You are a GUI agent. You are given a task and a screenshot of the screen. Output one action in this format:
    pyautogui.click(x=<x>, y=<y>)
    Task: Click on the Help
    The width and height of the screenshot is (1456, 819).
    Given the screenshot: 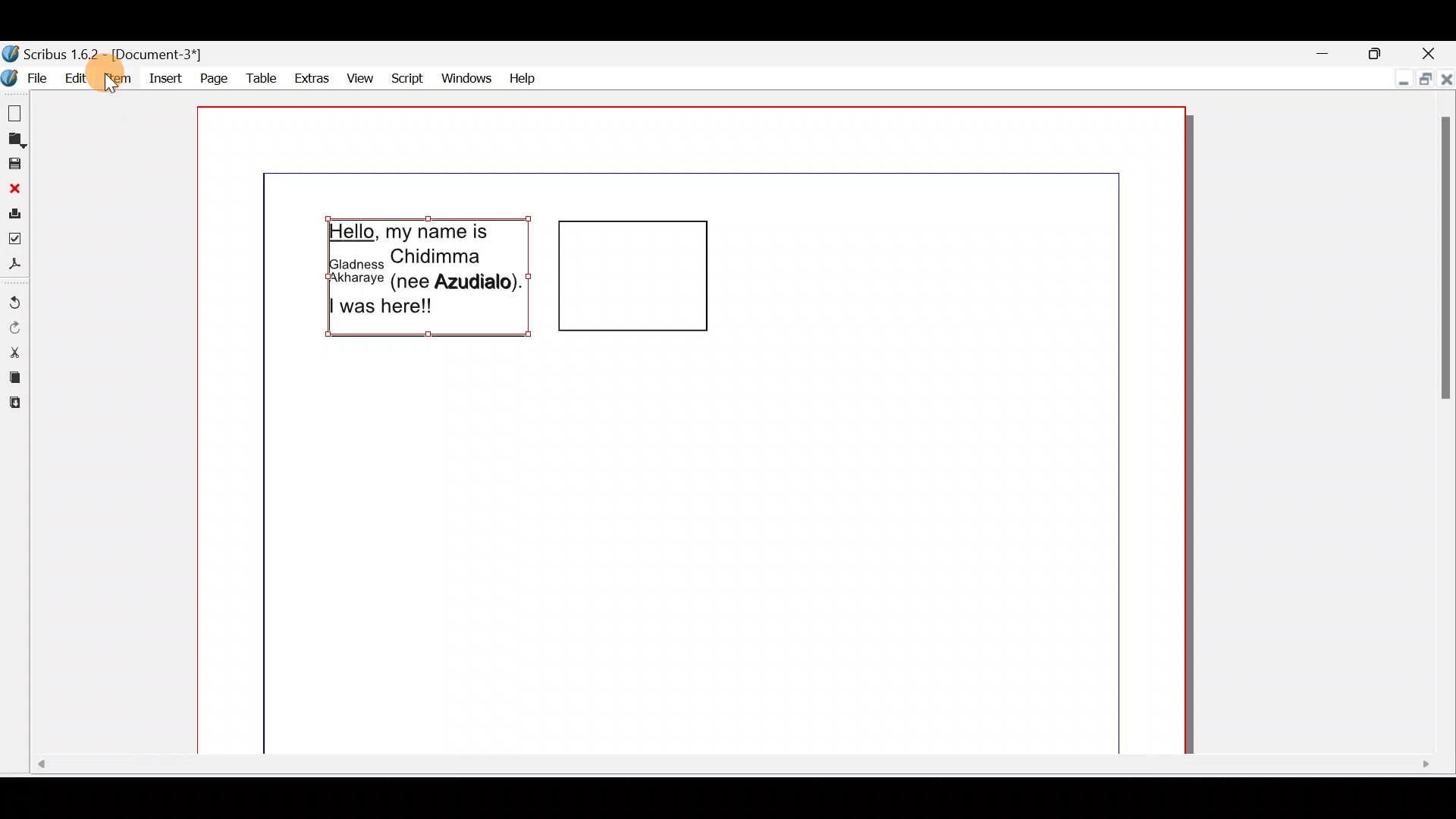 What is the action you would take?
    pyautogui.click(x=524, y=77)
    